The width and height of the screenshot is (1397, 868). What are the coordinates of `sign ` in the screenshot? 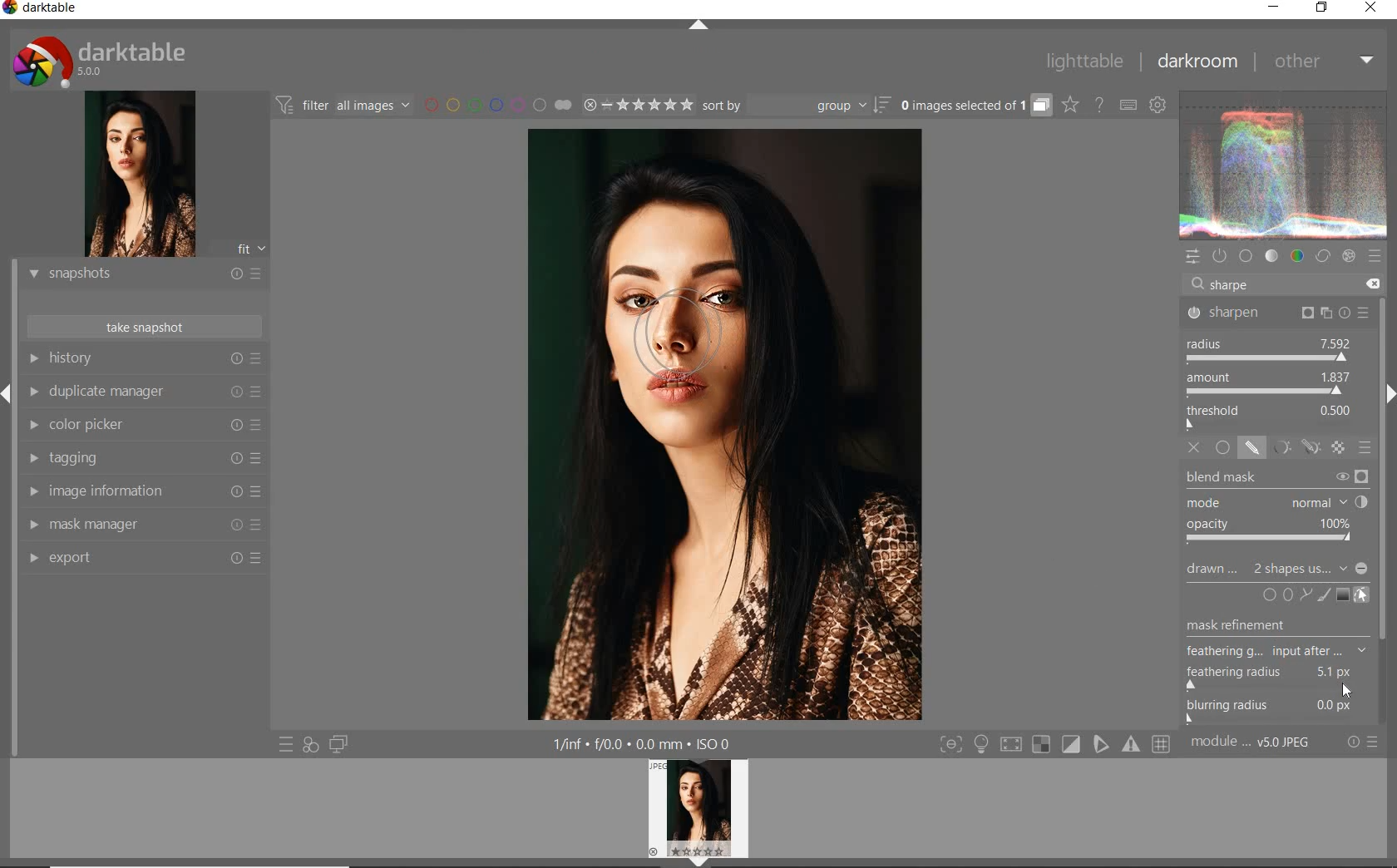 It's located at (1376, 257).